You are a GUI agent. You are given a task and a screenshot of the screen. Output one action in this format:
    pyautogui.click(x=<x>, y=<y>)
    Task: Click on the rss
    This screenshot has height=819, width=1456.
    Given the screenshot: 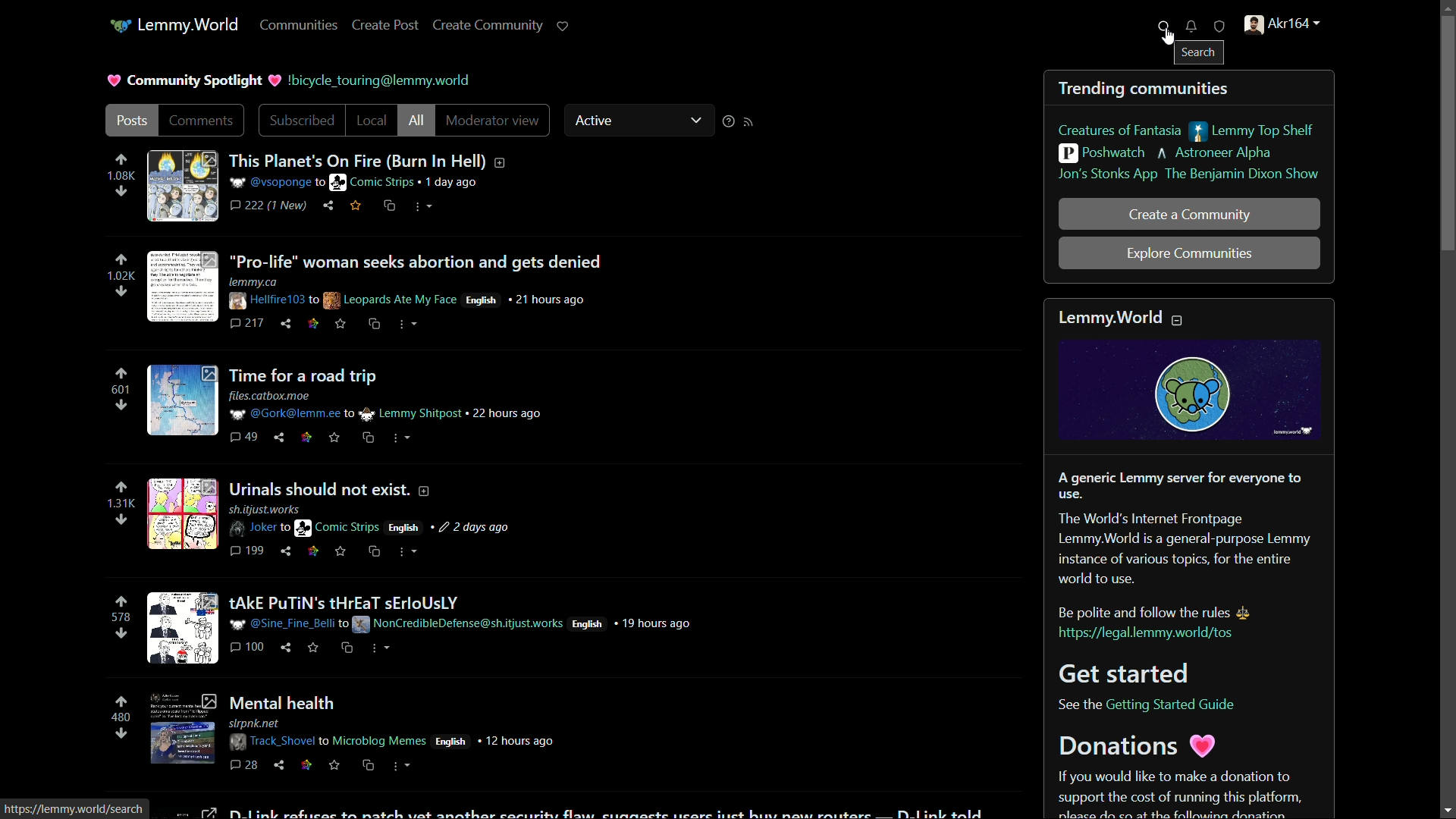 What is the action you would take?
    pyautogui.click(x=748, y=121)
    